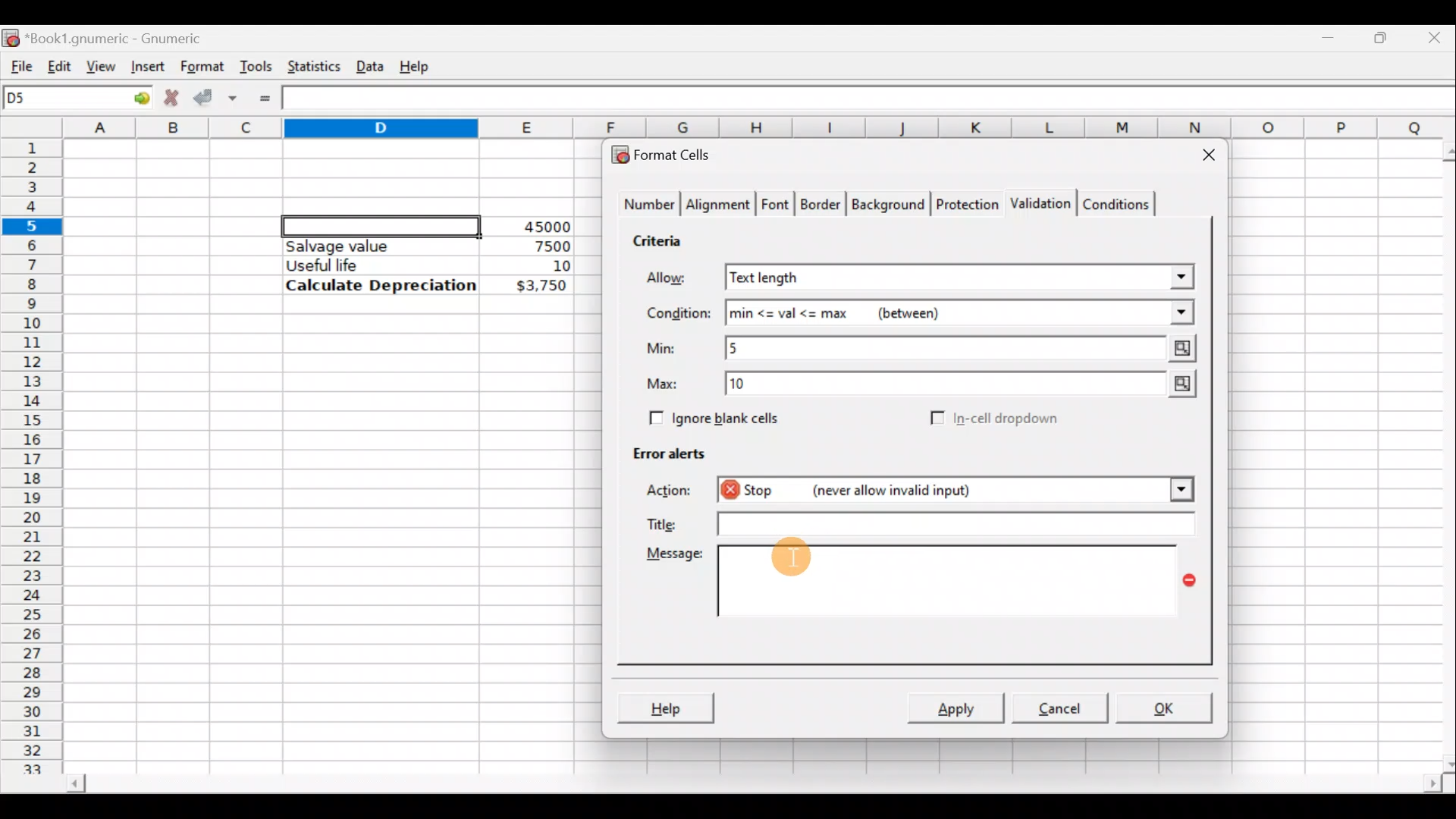 This screenshot has width=1456, height=819. Describe the element at coordinates (670, 152) in the screenshot. I see `Format cells` at that location.